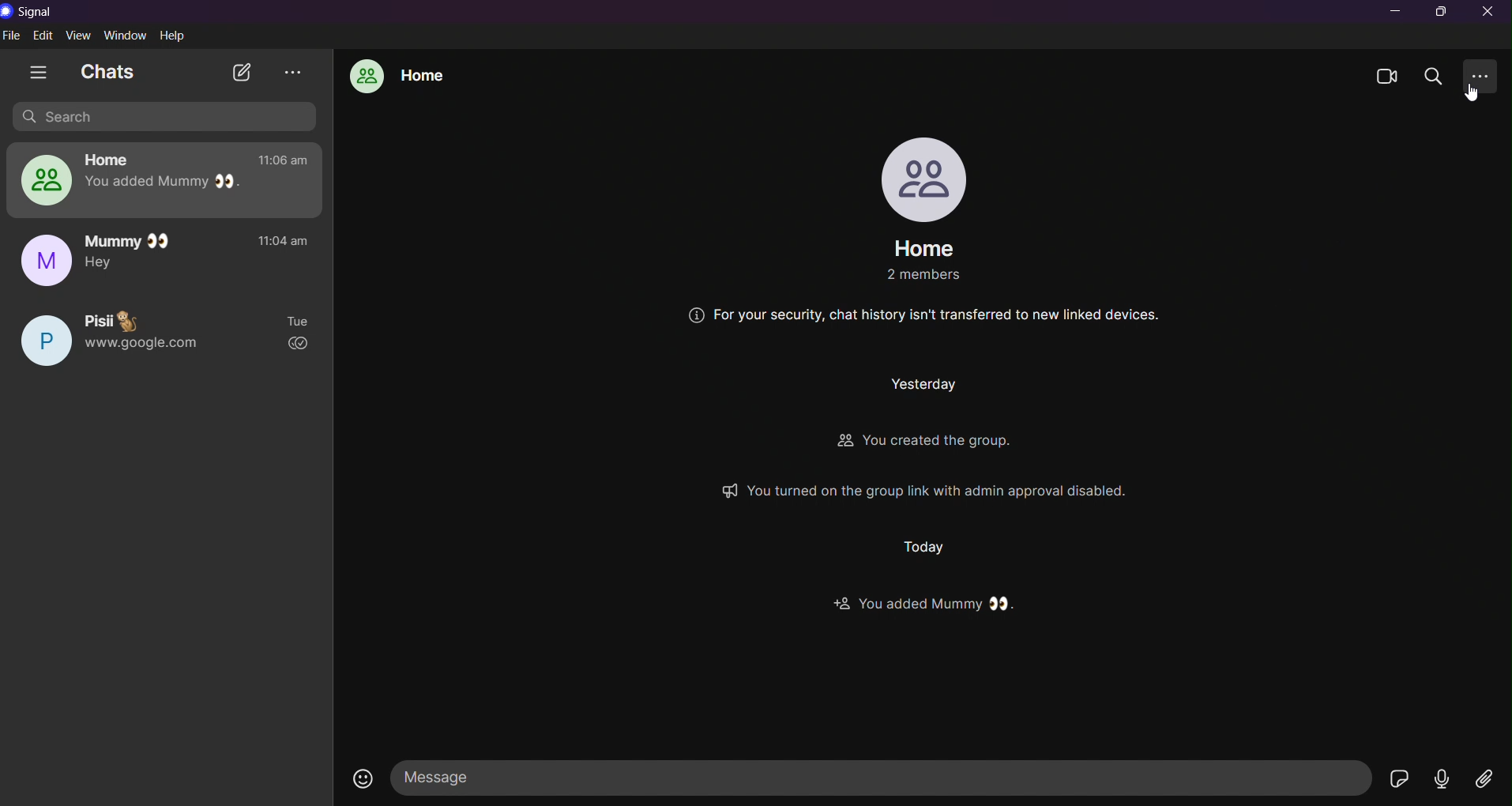 This screenshot has height=806, width=1512. I want to click on video calls, so click(1387, 76).